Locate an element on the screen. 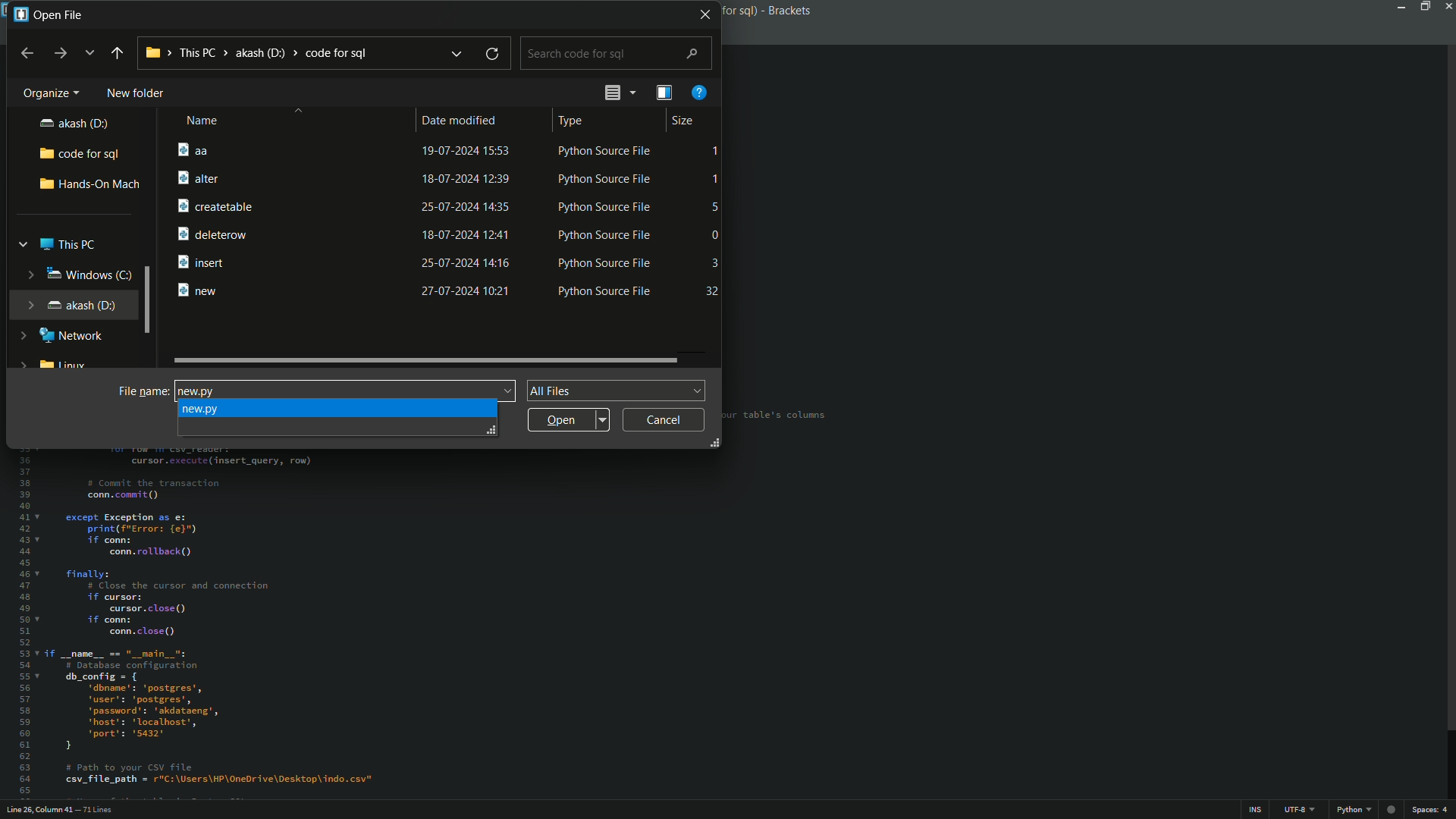  organize is located at coordinates (46, 93).